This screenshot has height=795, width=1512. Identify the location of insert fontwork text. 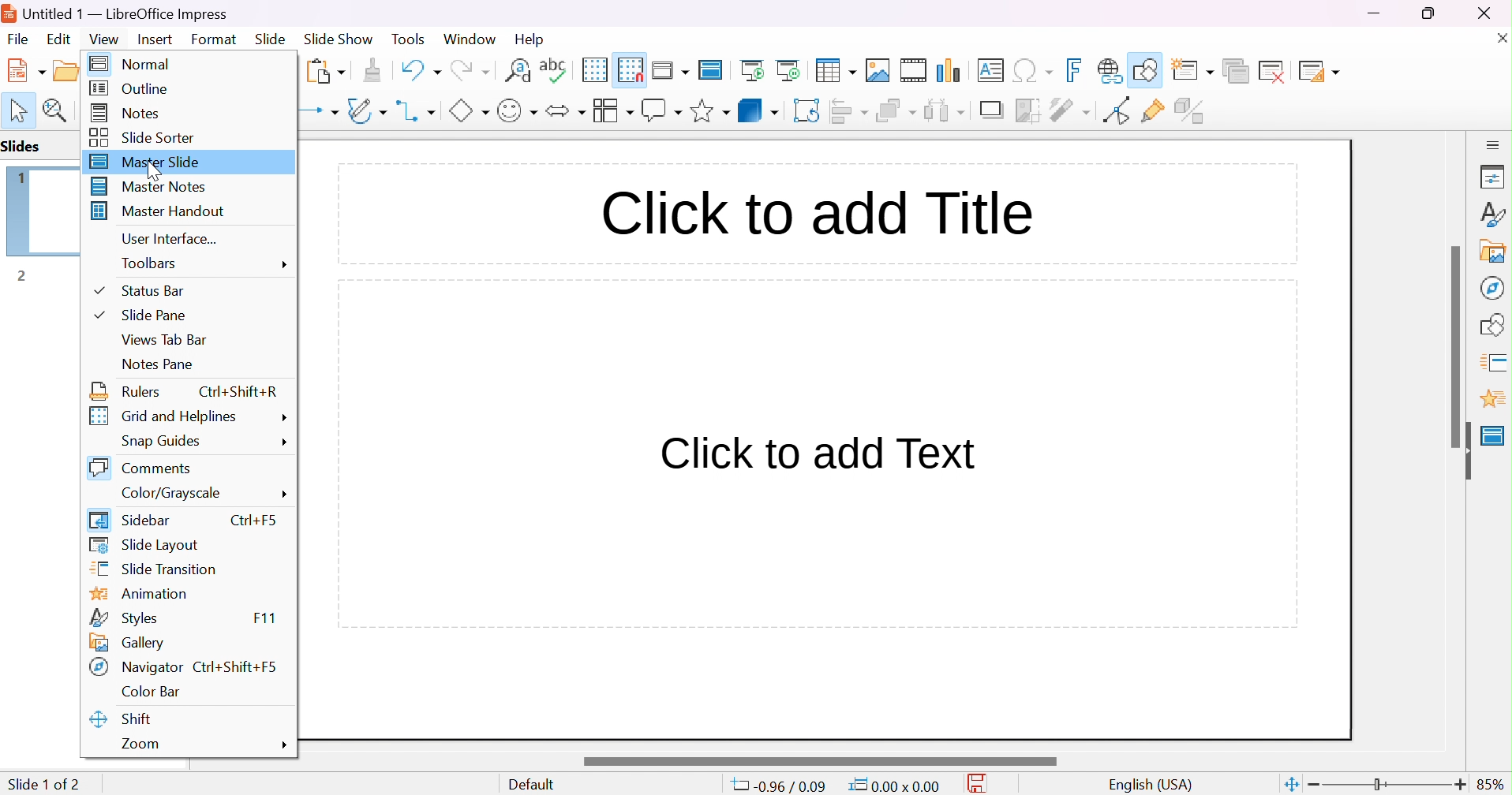
(1076, 70).